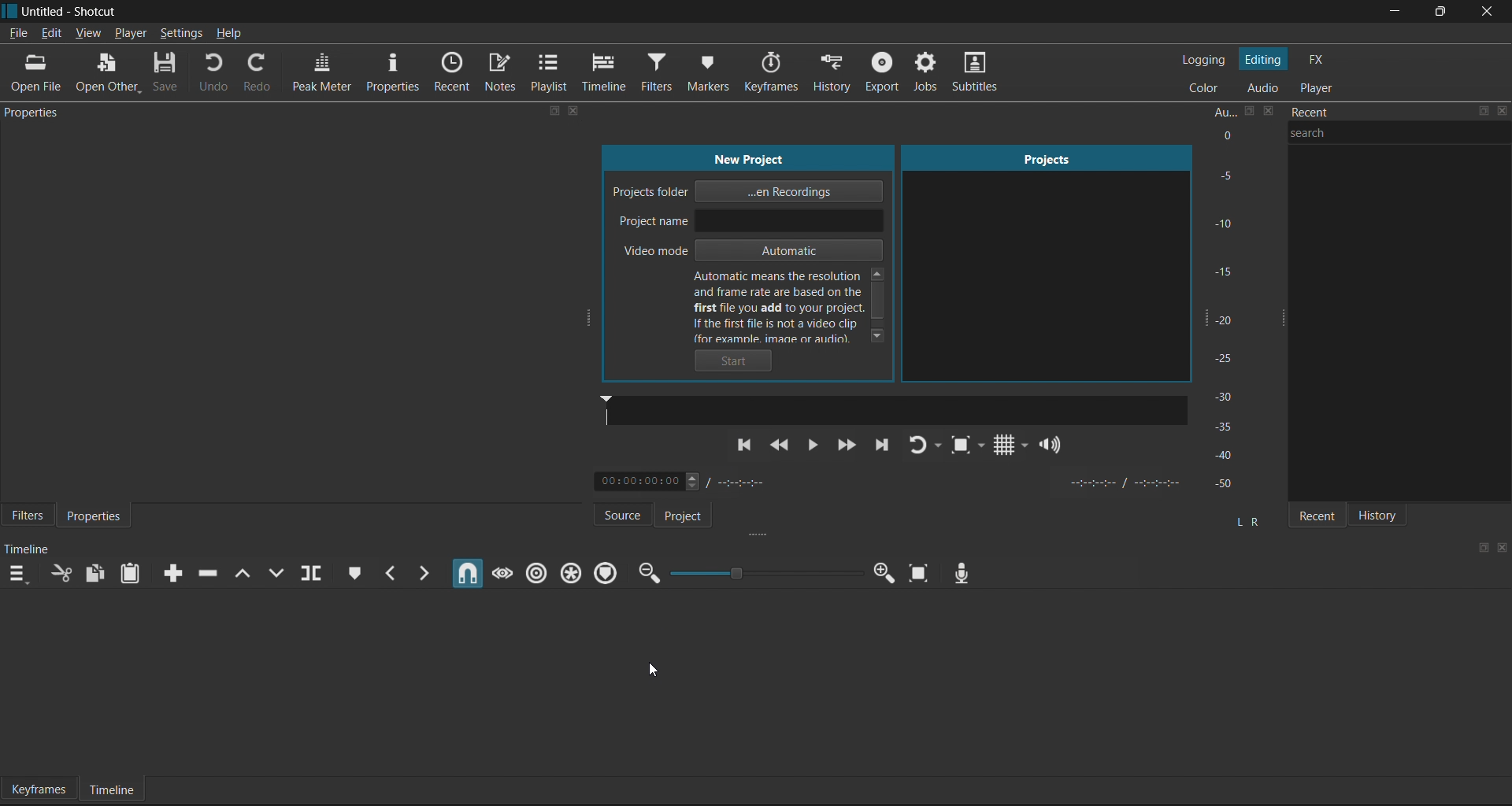  I want to click on Grid Display, so click(1006, 447).